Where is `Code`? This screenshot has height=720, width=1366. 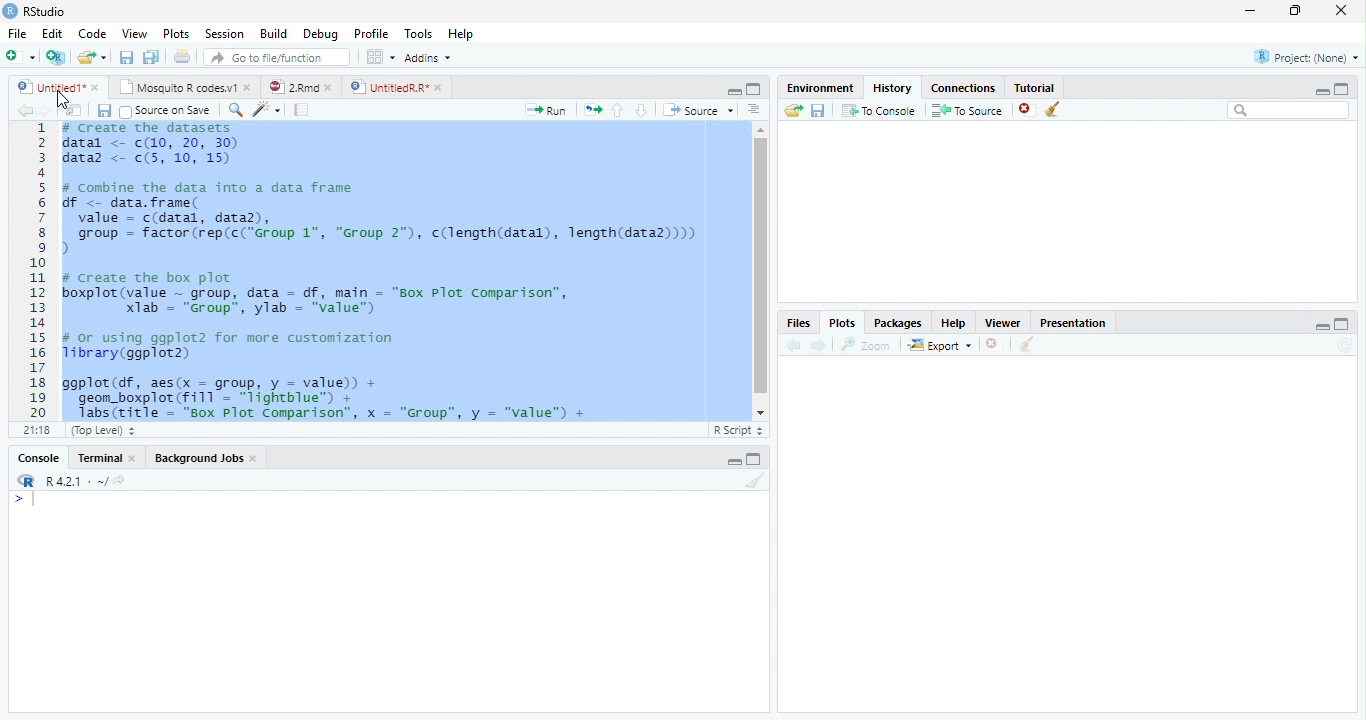 Code is located at coordinates (91, 34).